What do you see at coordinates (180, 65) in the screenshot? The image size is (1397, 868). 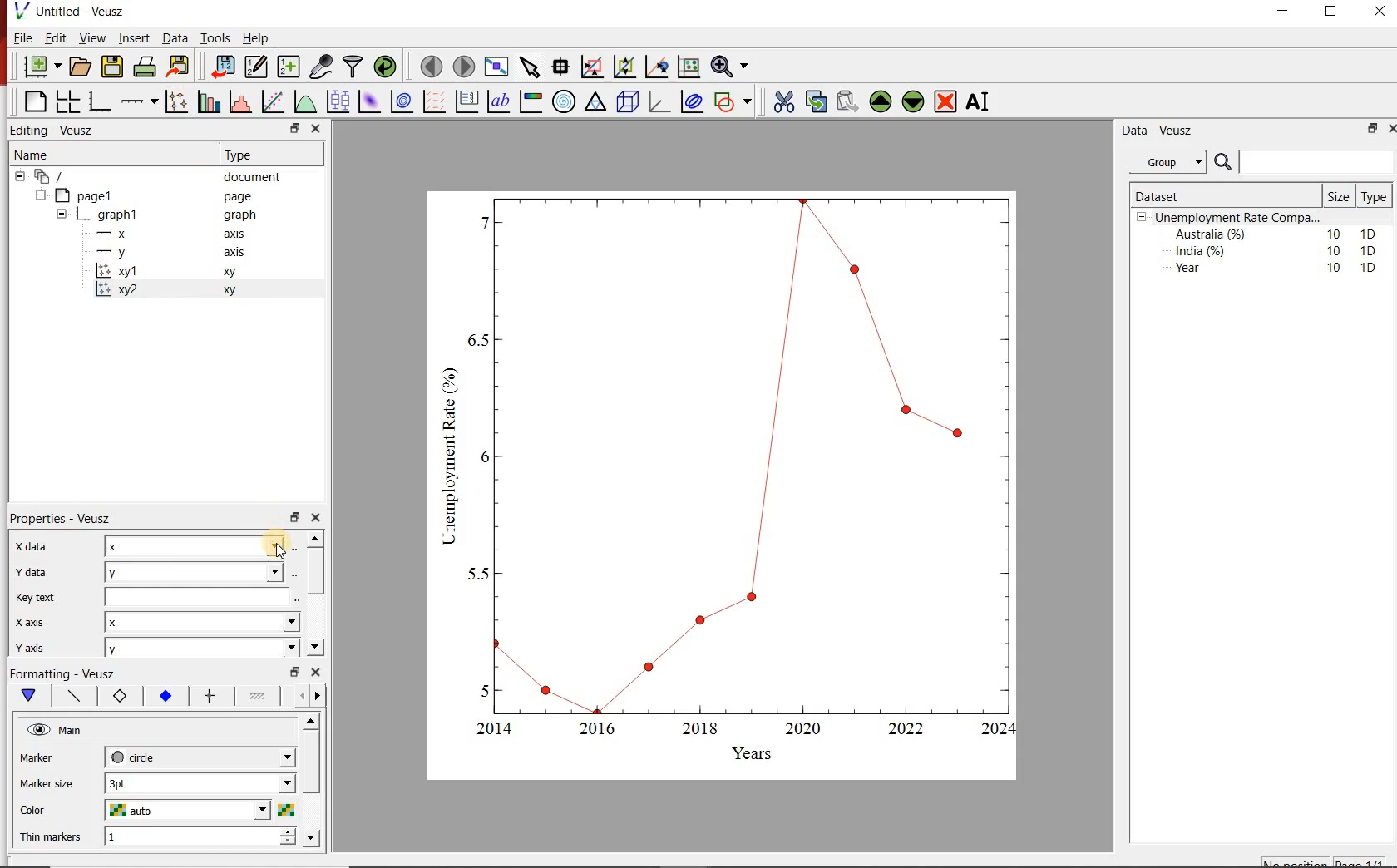 I see `export document` at bounding box center [180, 65].